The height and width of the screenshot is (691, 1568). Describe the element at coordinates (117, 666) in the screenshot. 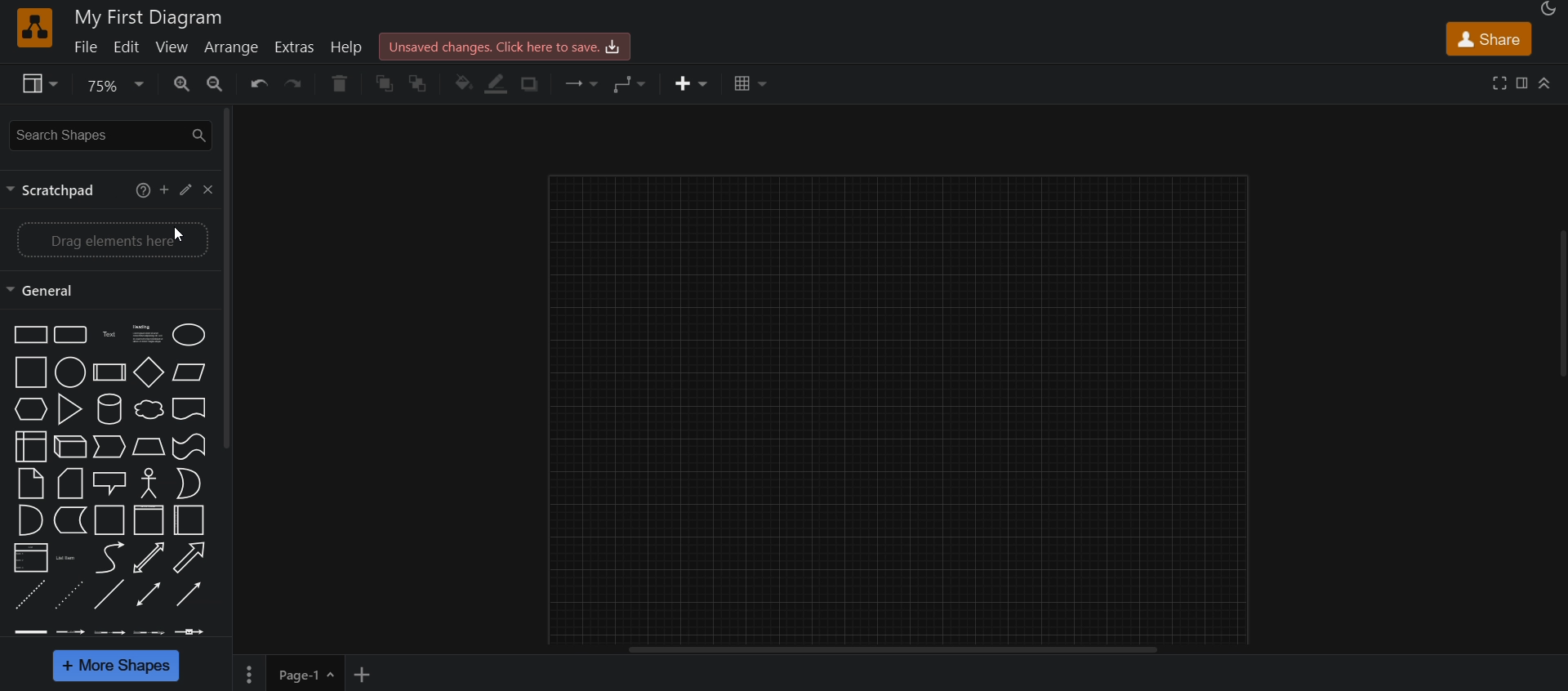

I see `more shapes` at that location.